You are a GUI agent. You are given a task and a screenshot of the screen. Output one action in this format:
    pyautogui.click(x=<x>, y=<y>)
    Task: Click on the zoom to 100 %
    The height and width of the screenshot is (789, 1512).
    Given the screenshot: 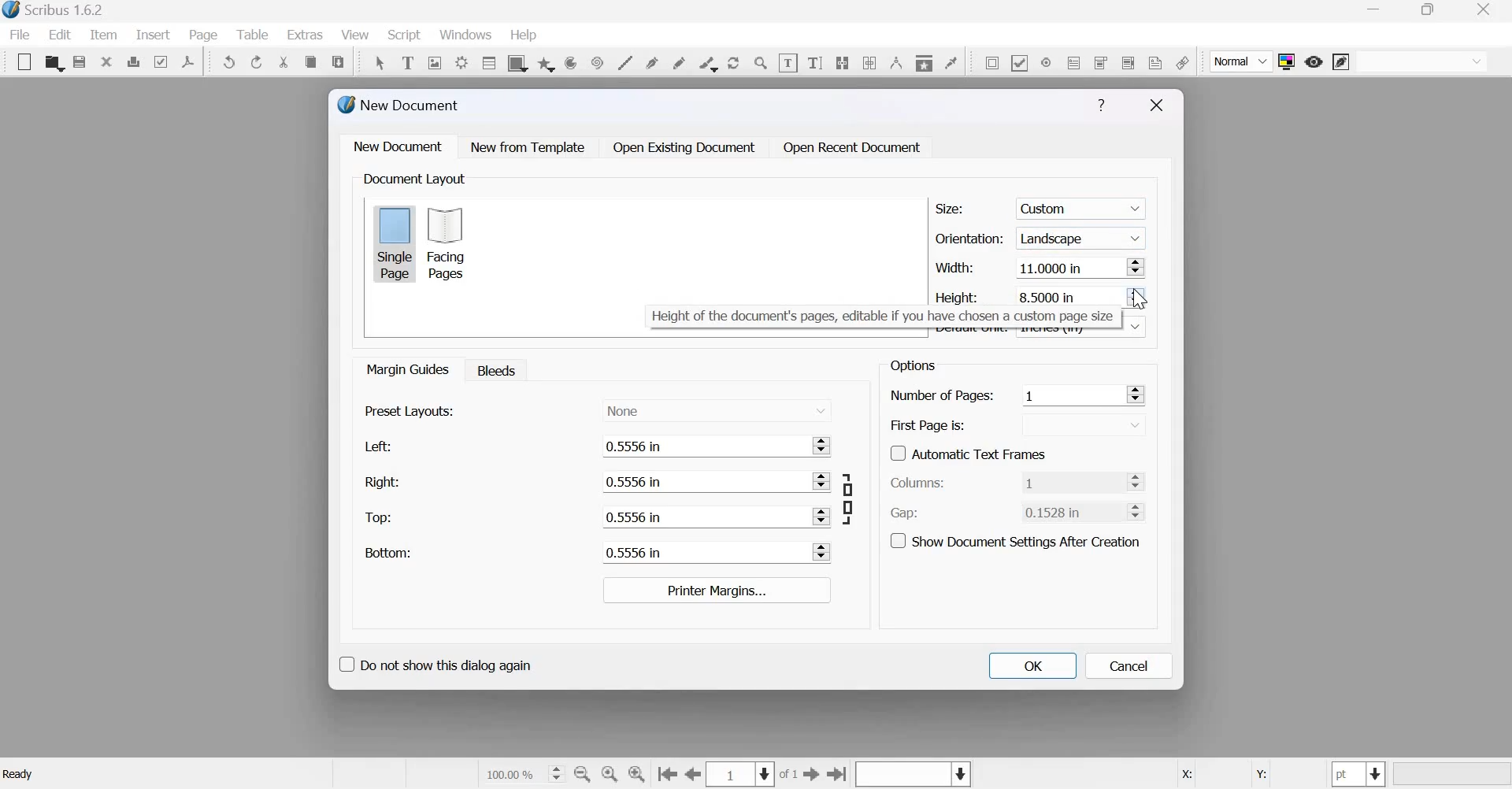 What is the action you would take?
    pyautogui.click(x=610, y=775)
    